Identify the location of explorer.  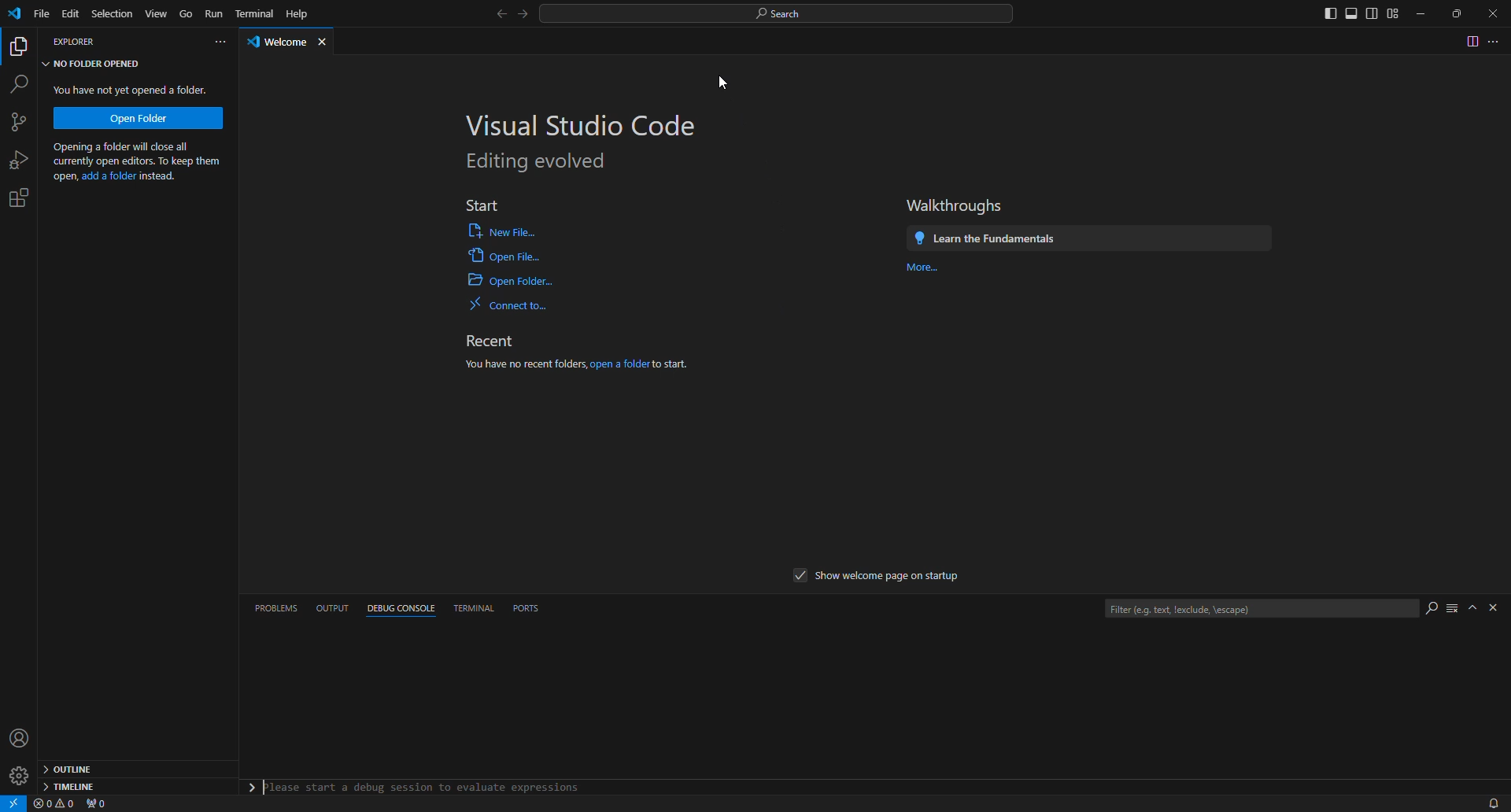
(87, 40).